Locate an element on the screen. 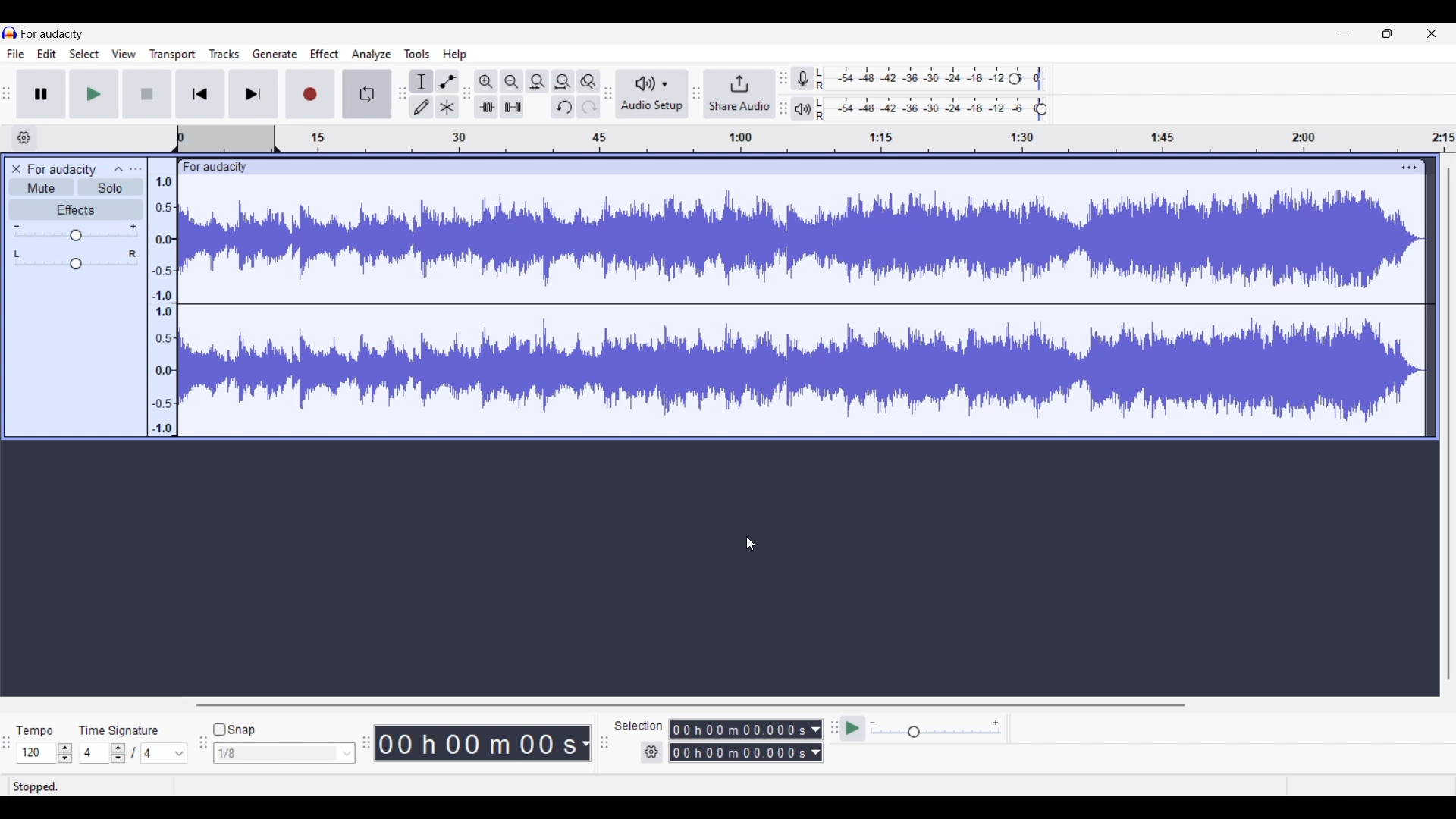 The height and width of the screenshot is (819, 1456). Snap toggle is located at coordinates (234, 730).